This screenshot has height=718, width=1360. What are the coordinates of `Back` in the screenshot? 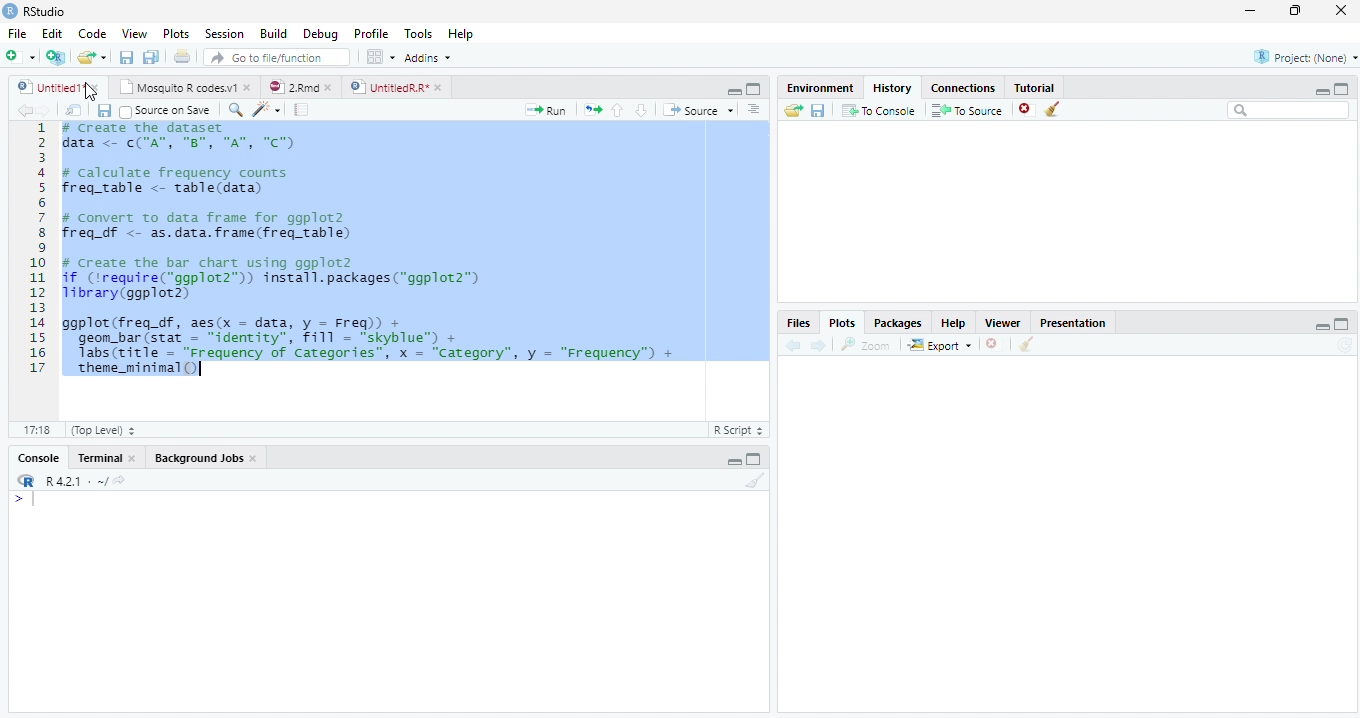 It's located at (23, 110).